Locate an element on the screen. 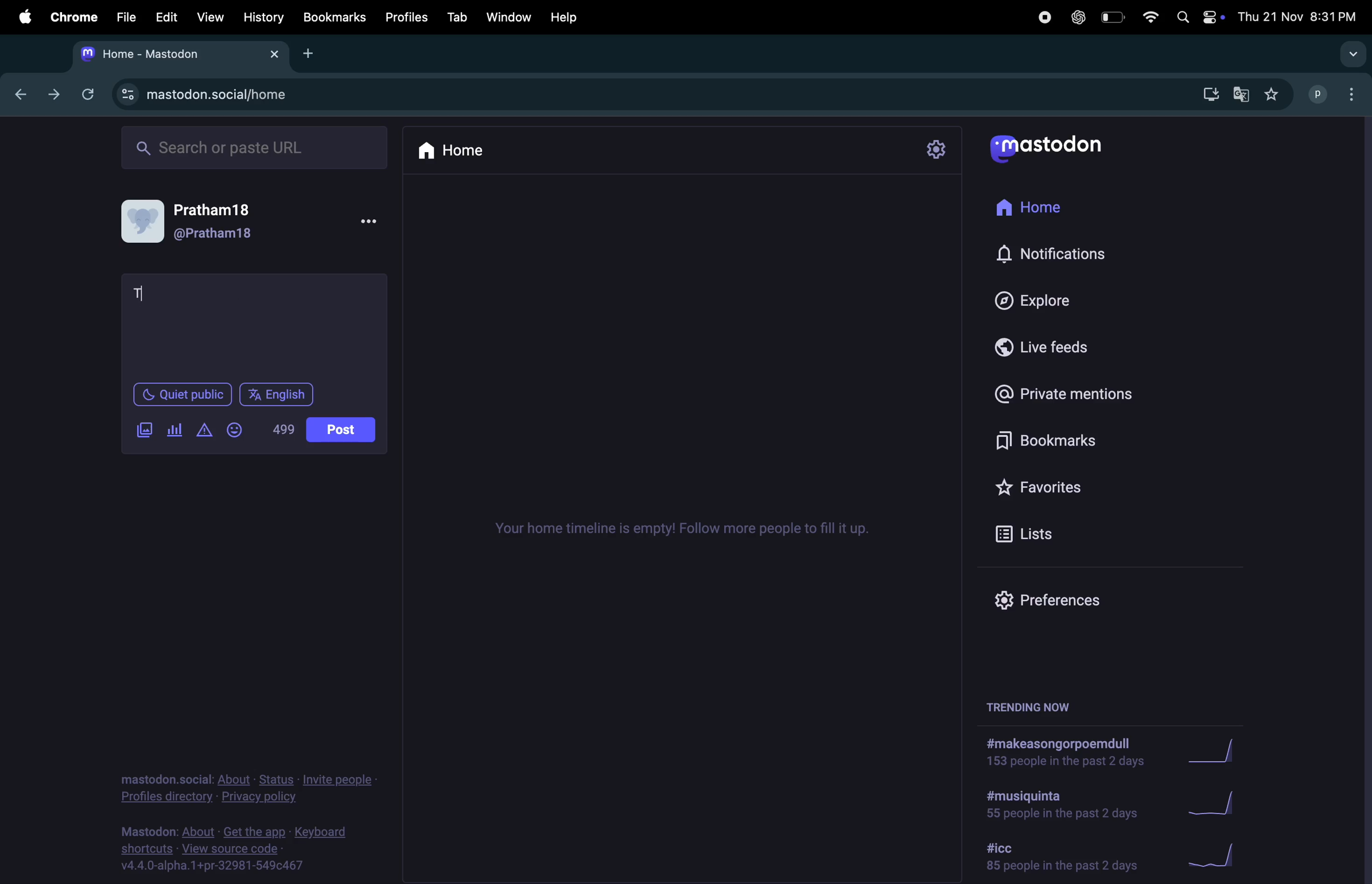 This screenshot has height=884, width=1372. privacy policy is located at coordinates (247, 788).